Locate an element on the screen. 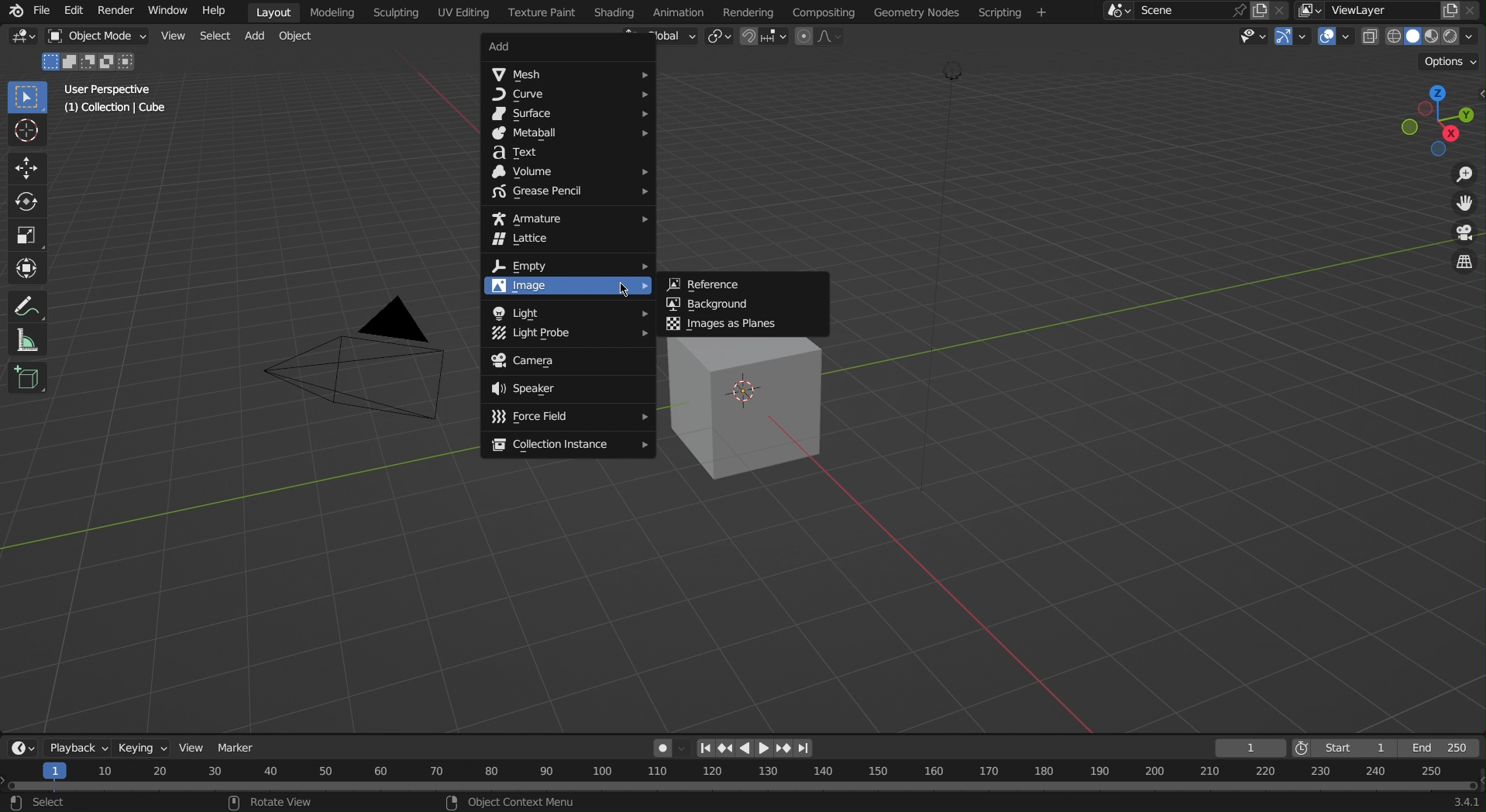 The height and width of the screenshot is (812, 1486). Mesh is located at coordinates (569, 74).